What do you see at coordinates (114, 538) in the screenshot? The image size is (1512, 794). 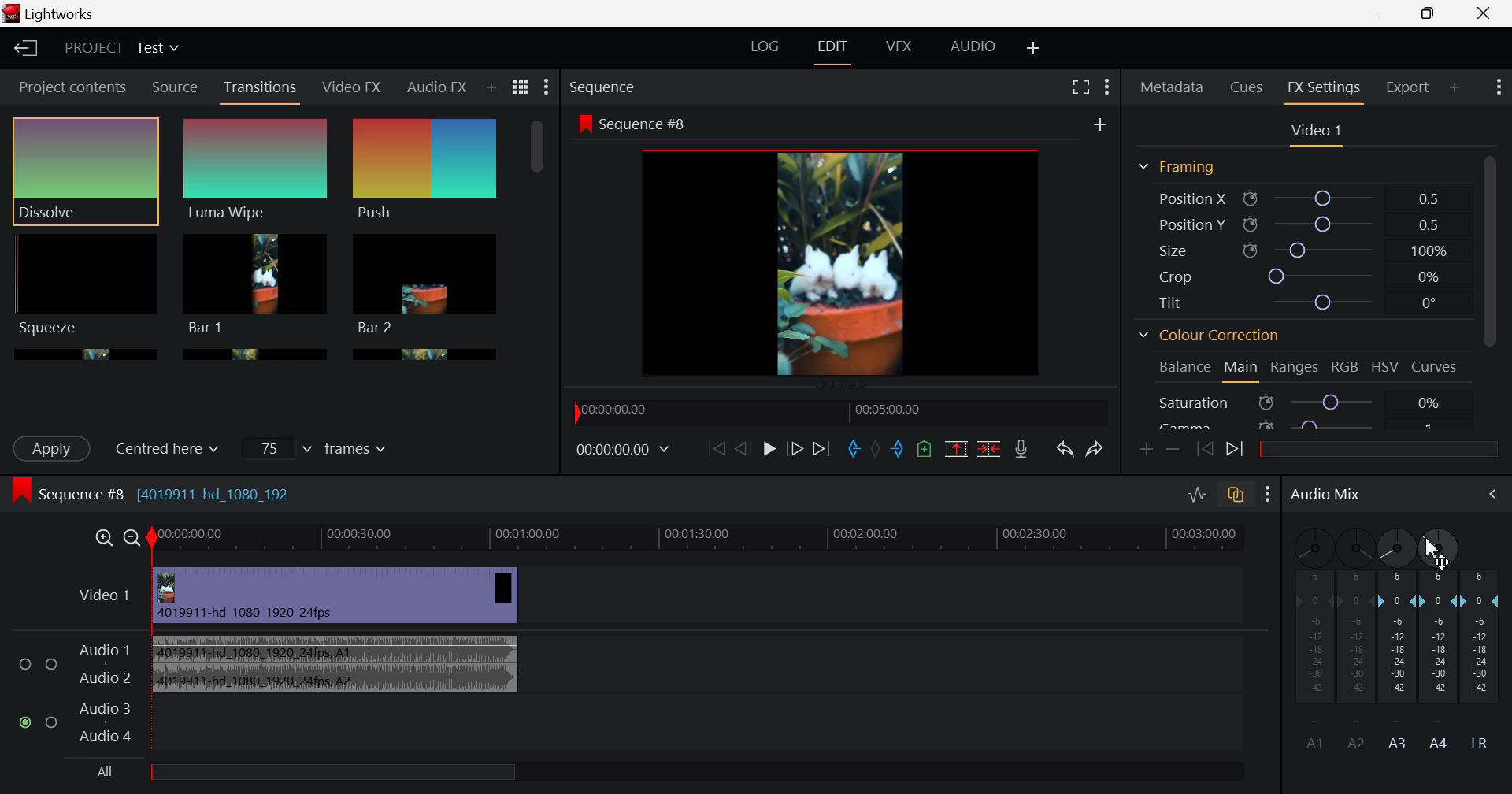 I see `Timeline Zoom In/Out` at bounding box center [114, 538].